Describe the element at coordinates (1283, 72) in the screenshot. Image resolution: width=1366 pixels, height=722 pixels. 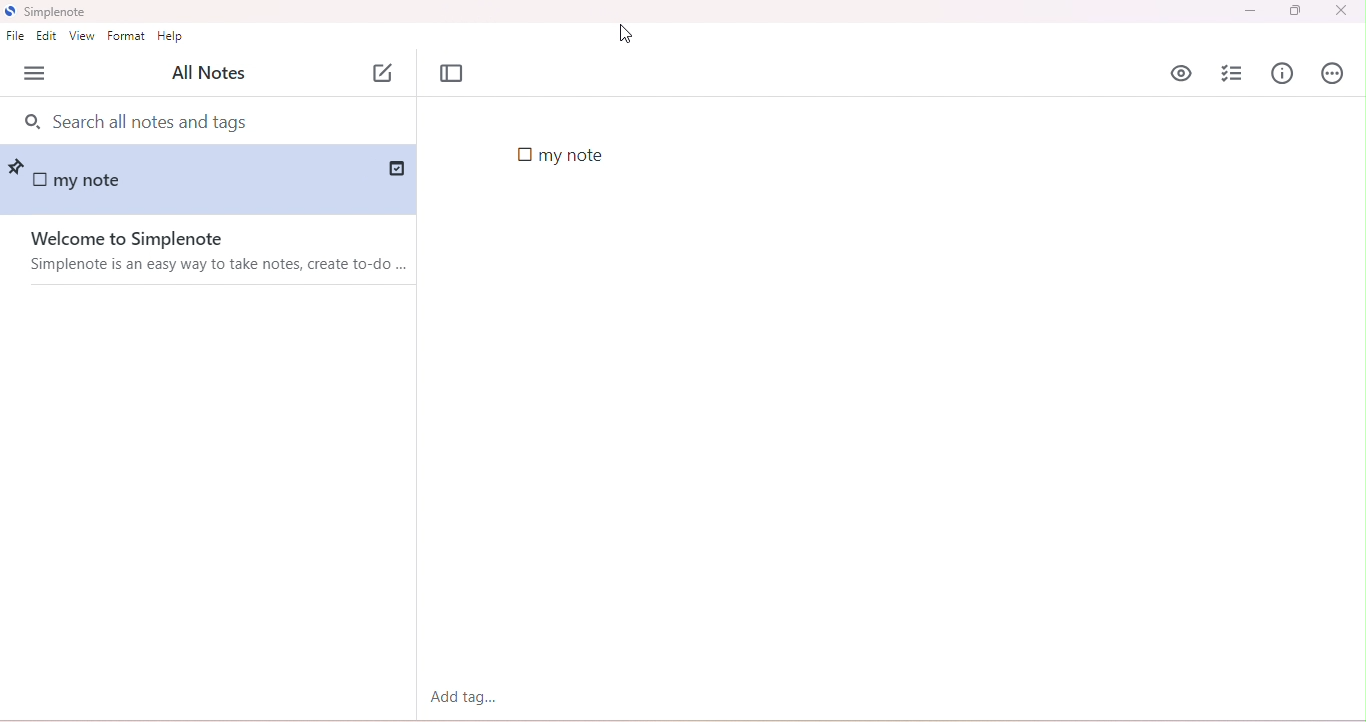
I see `info` at that location.